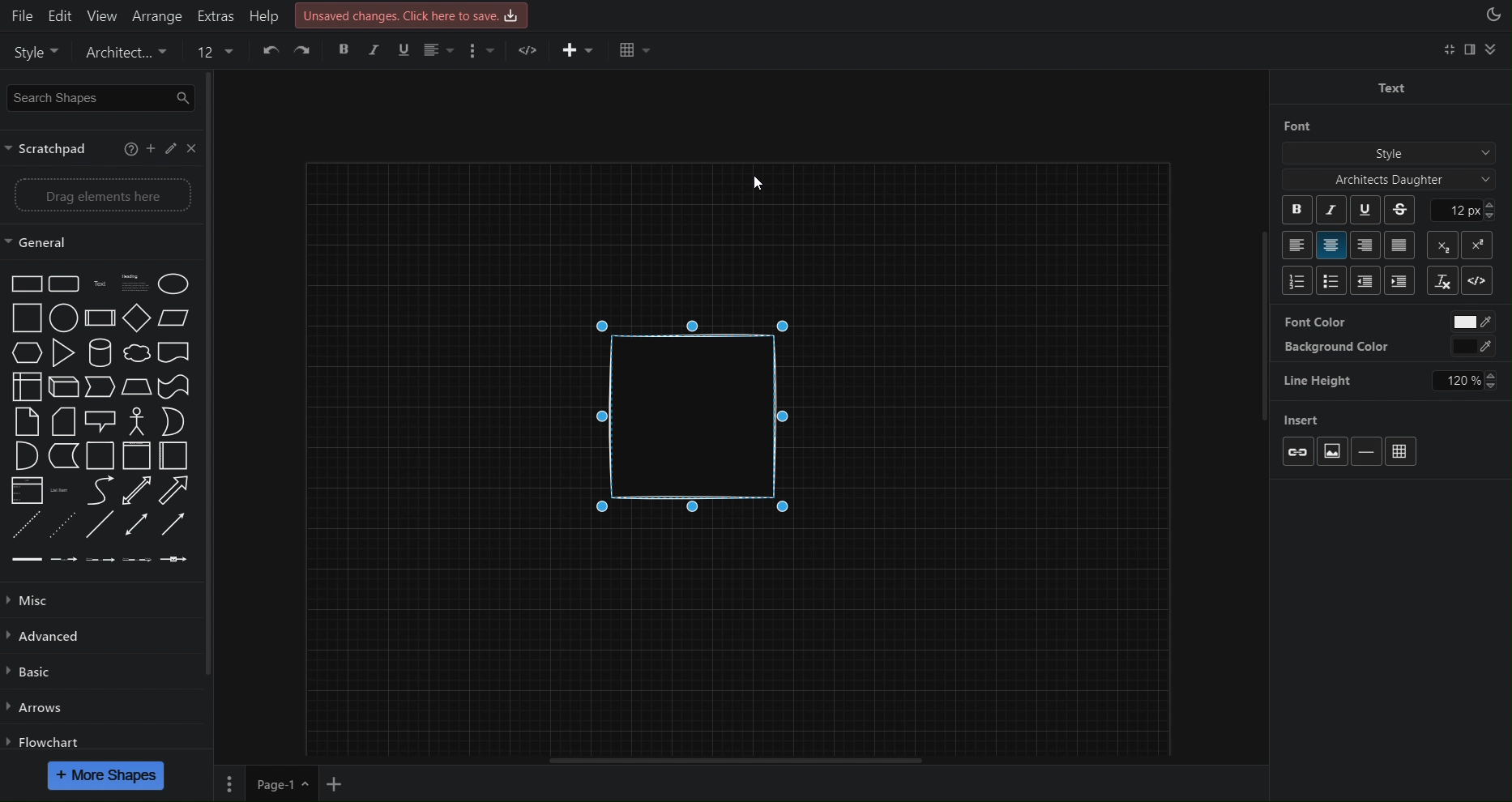 The width and height of the screenshot is (1512, 802). Describe the element at coordinates (1403, 243) in the screenshot. I see `Centre` at that location.